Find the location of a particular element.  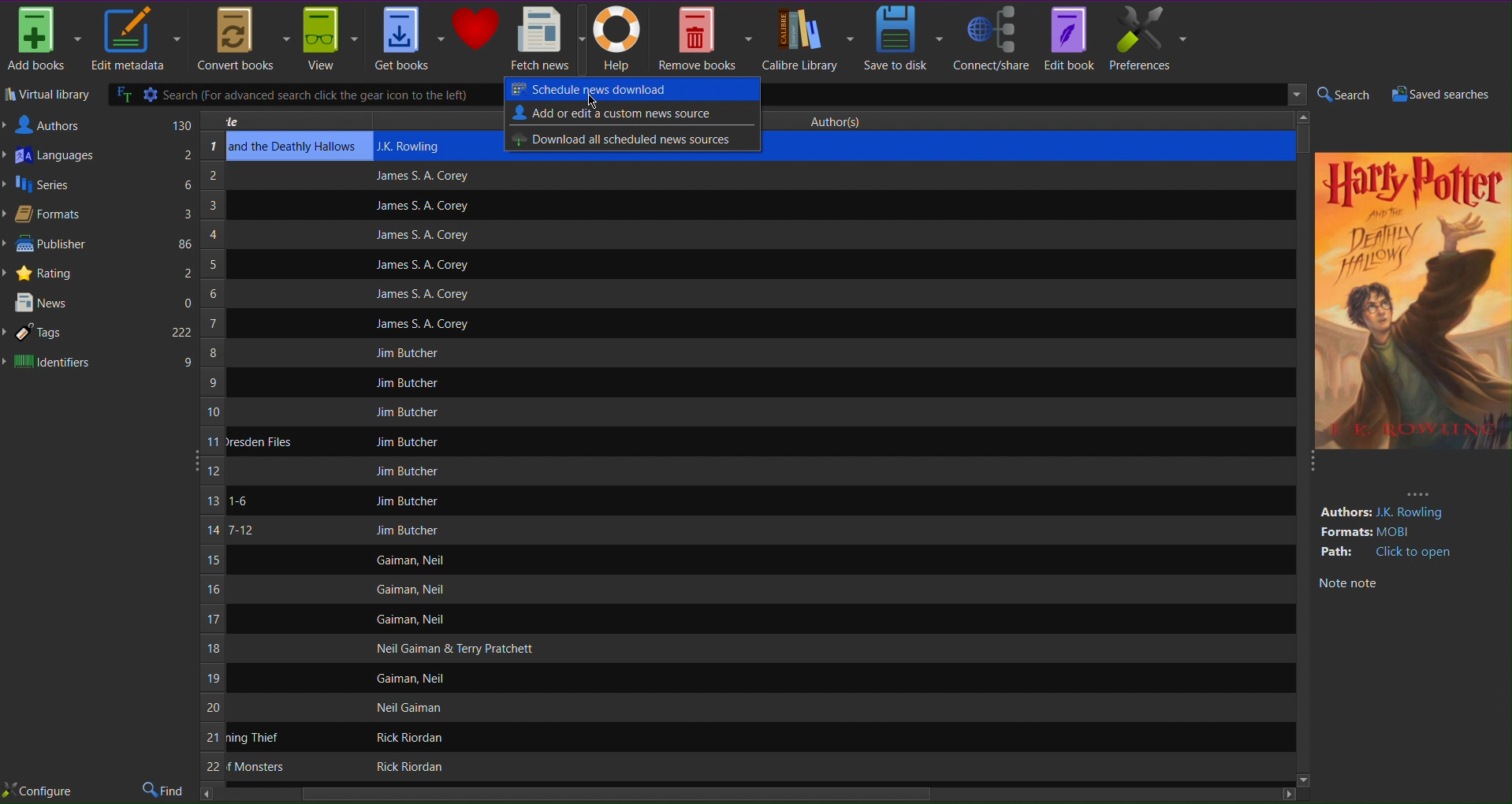

Gaiman, Neil is located at coordinates (416, 678).